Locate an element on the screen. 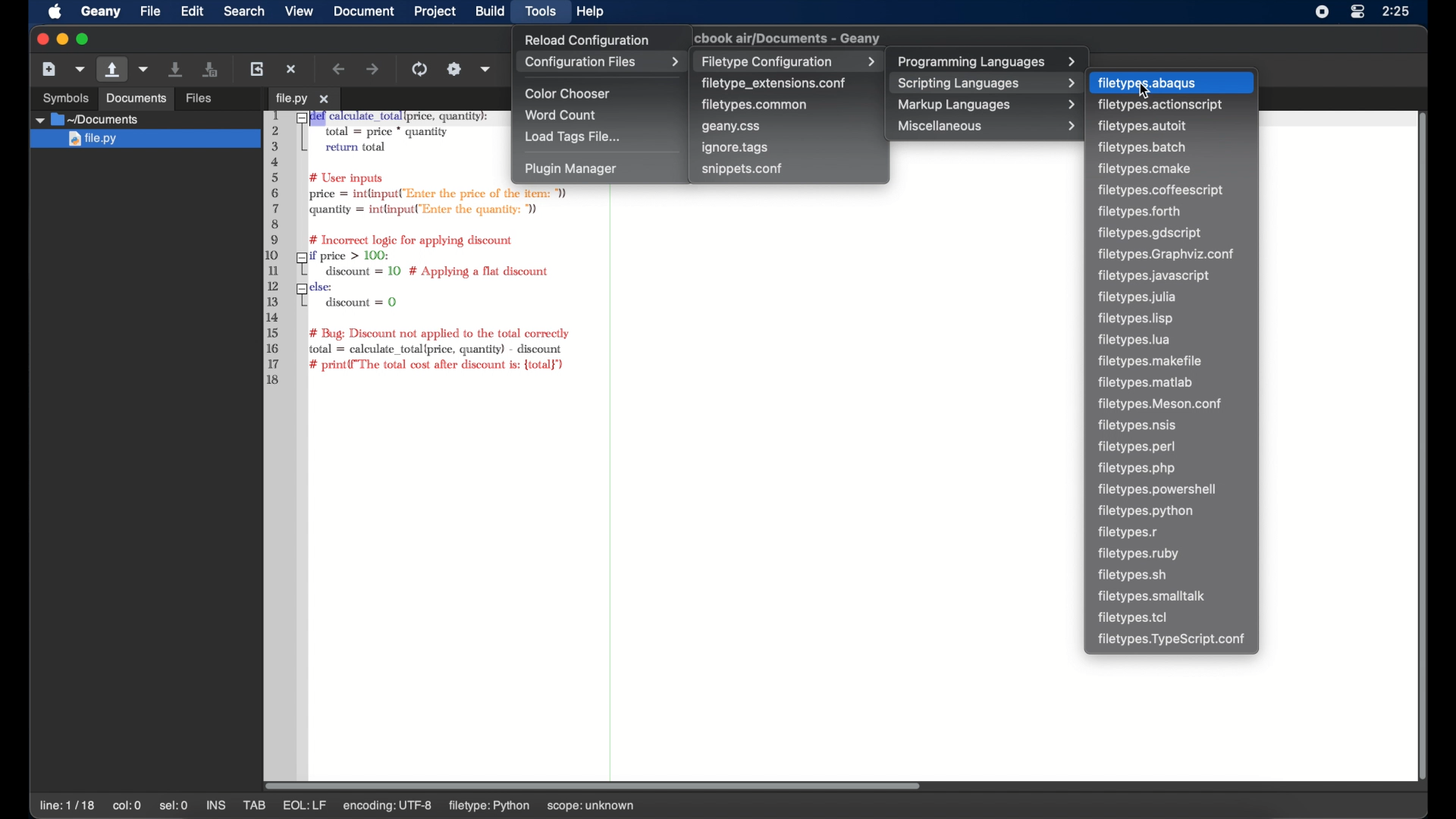 Image resolution: width=1456 pixels, height=819 pixels. compile the current file is located at coordinates (422, 69).